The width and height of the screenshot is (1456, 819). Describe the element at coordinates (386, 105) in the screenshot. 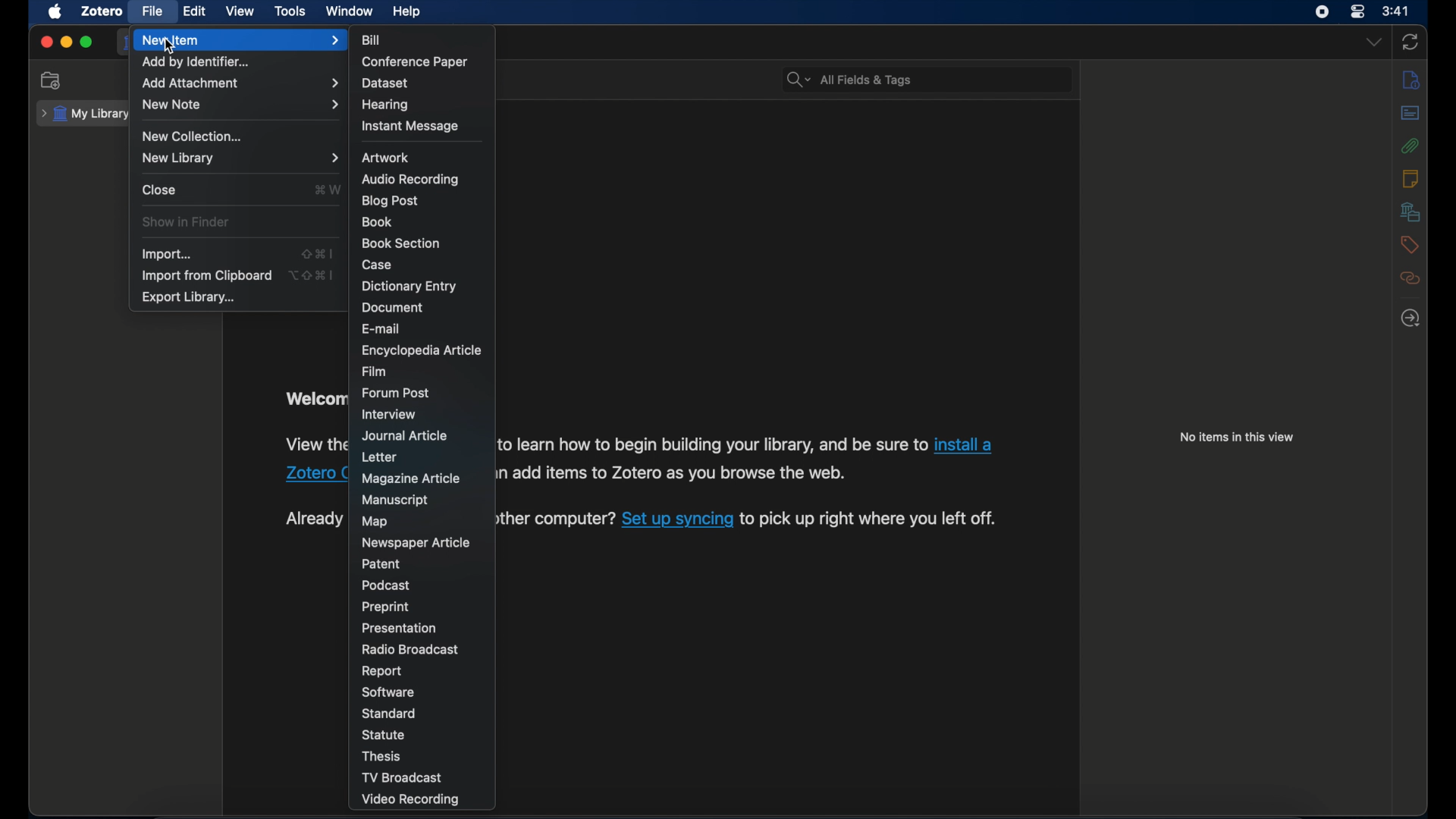

I see `hearing` at that location.